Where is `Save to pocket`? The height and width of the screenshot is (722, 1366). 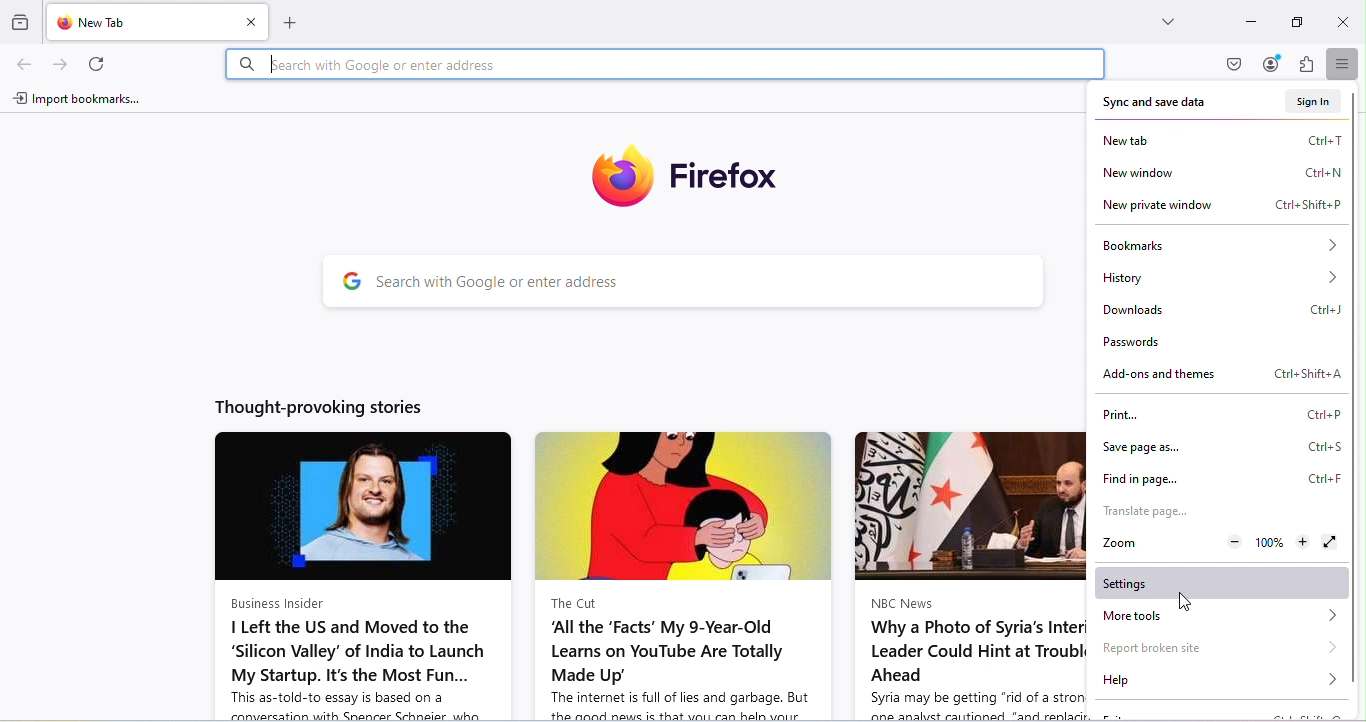 Save to pocket is located at coordinates (1235, 65).